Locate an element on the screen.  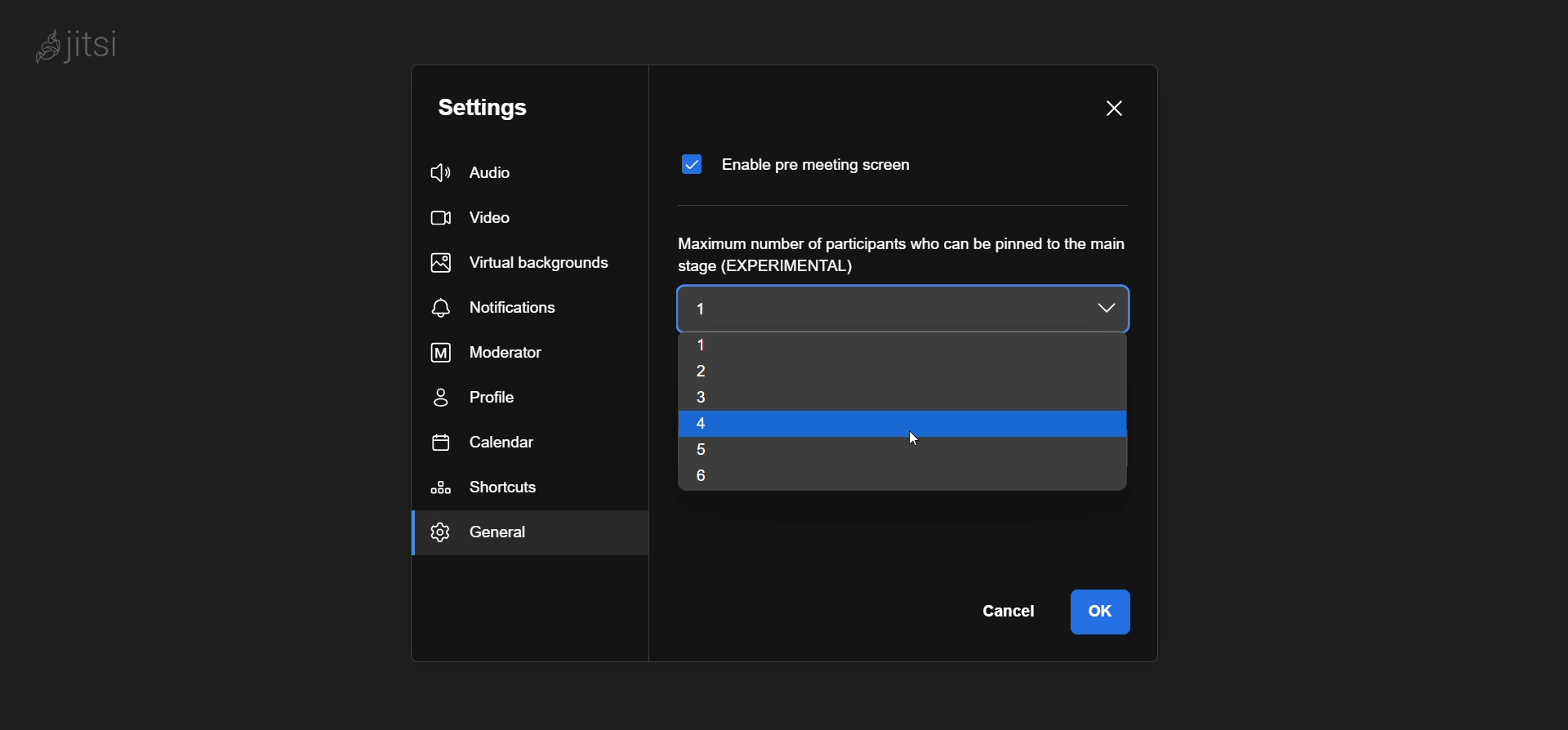
number of participants dropdown is located at coordinates (1107, 310).